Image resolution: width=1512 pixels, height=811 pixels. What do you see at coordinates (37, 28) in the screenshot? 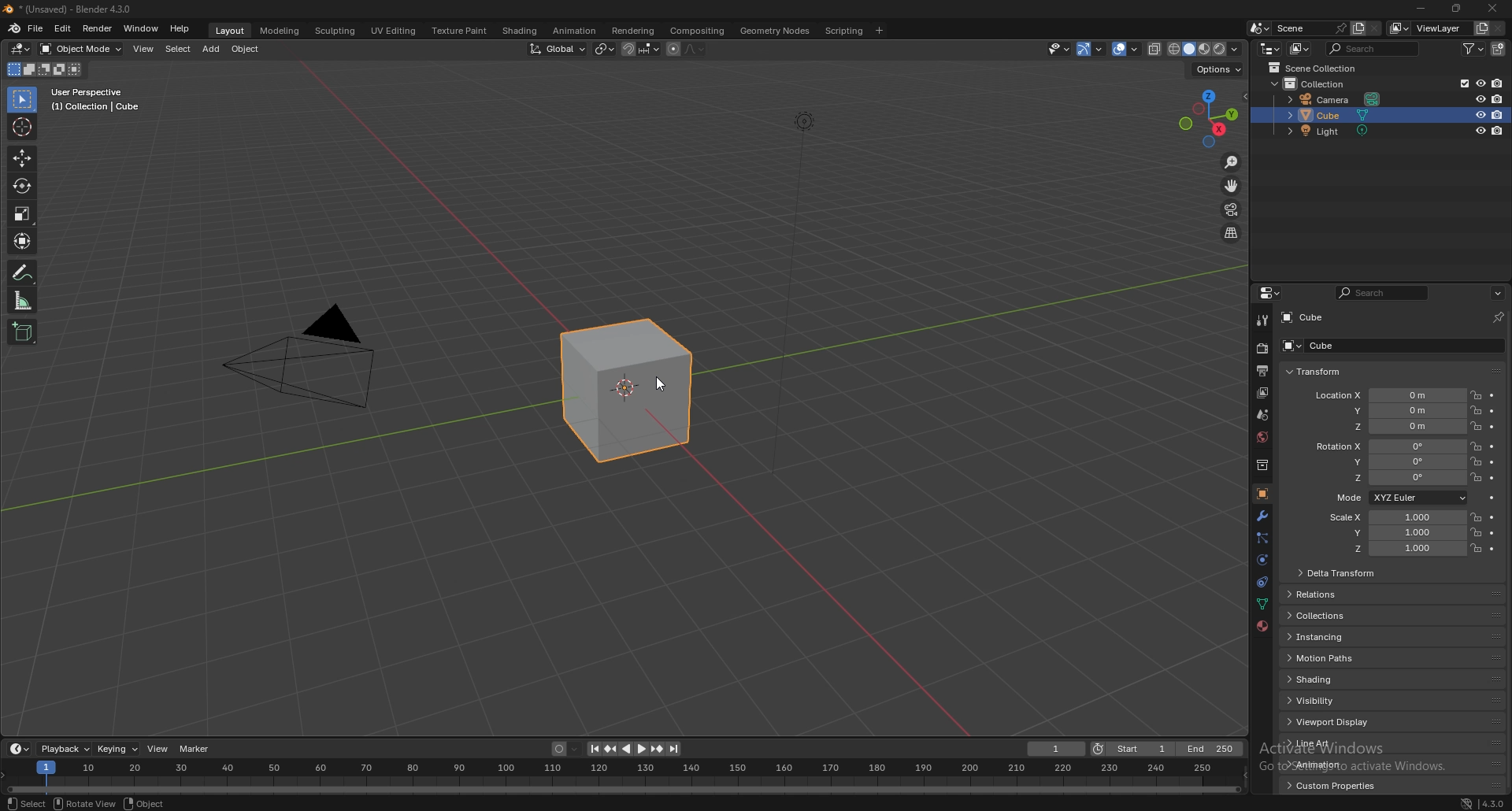
I see `file` at bounding box center [37, 28].